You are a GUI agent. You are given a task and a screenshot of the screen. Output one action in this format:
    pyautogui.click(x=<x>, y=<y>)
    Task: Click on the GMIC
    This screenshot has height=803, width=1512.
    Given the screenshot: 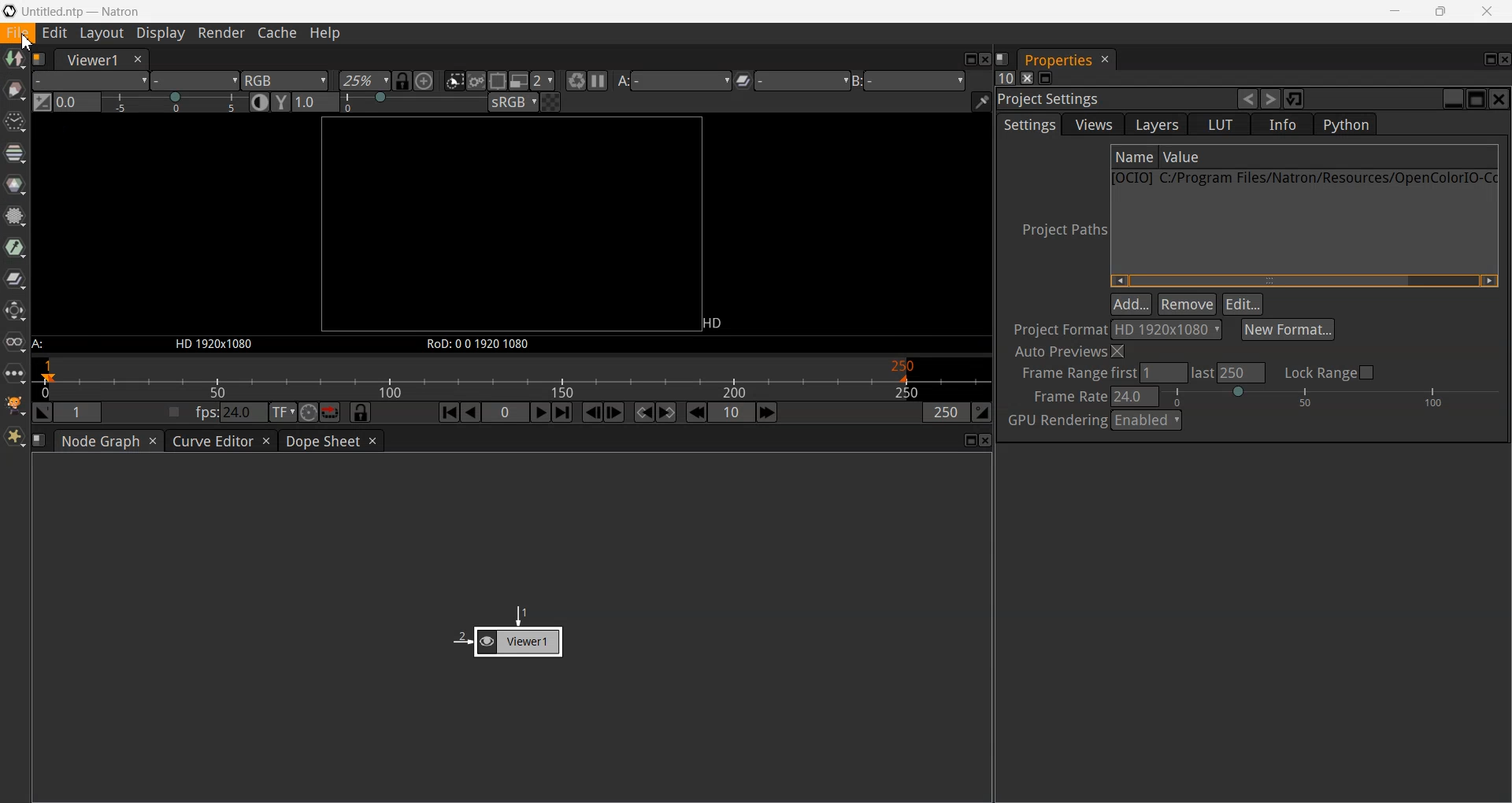 What is the action you would take?
    pyautogui.click(x=15, y=405)
    